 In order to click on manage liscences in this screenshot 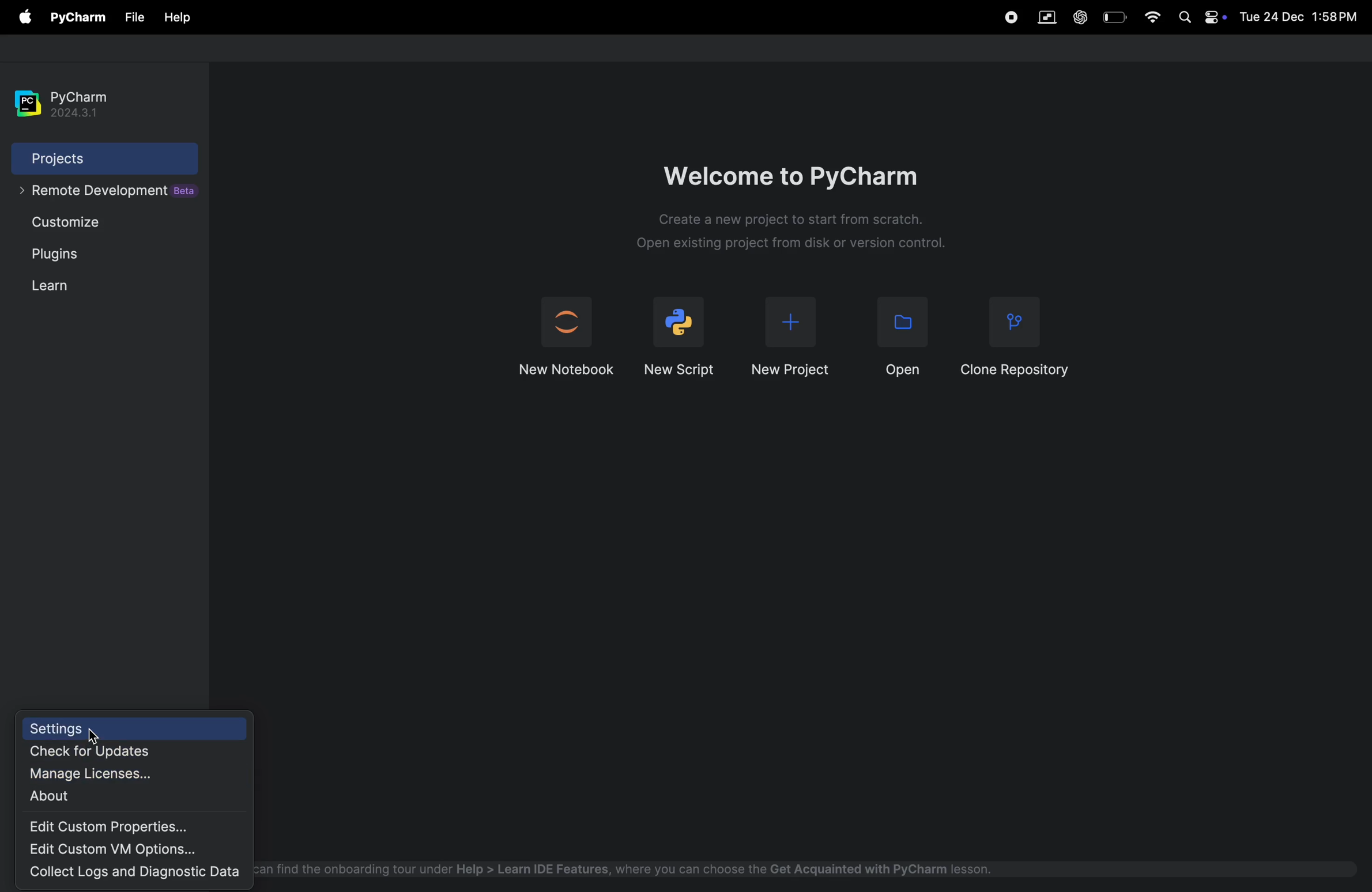, I will do `click(111, 774)`.